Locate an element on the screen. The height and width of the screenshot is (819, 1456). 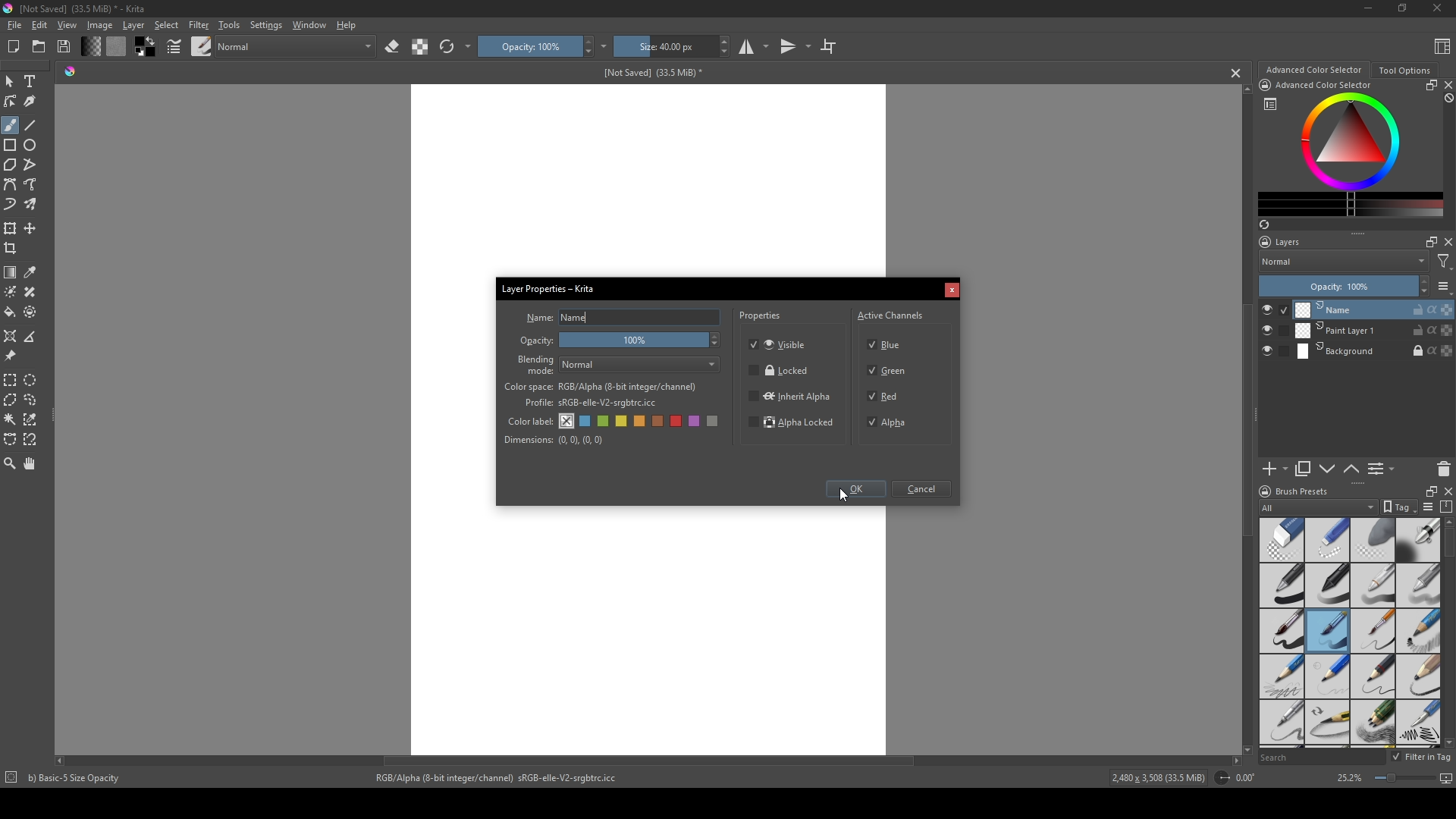
list is located at coordinates (1427, 507).